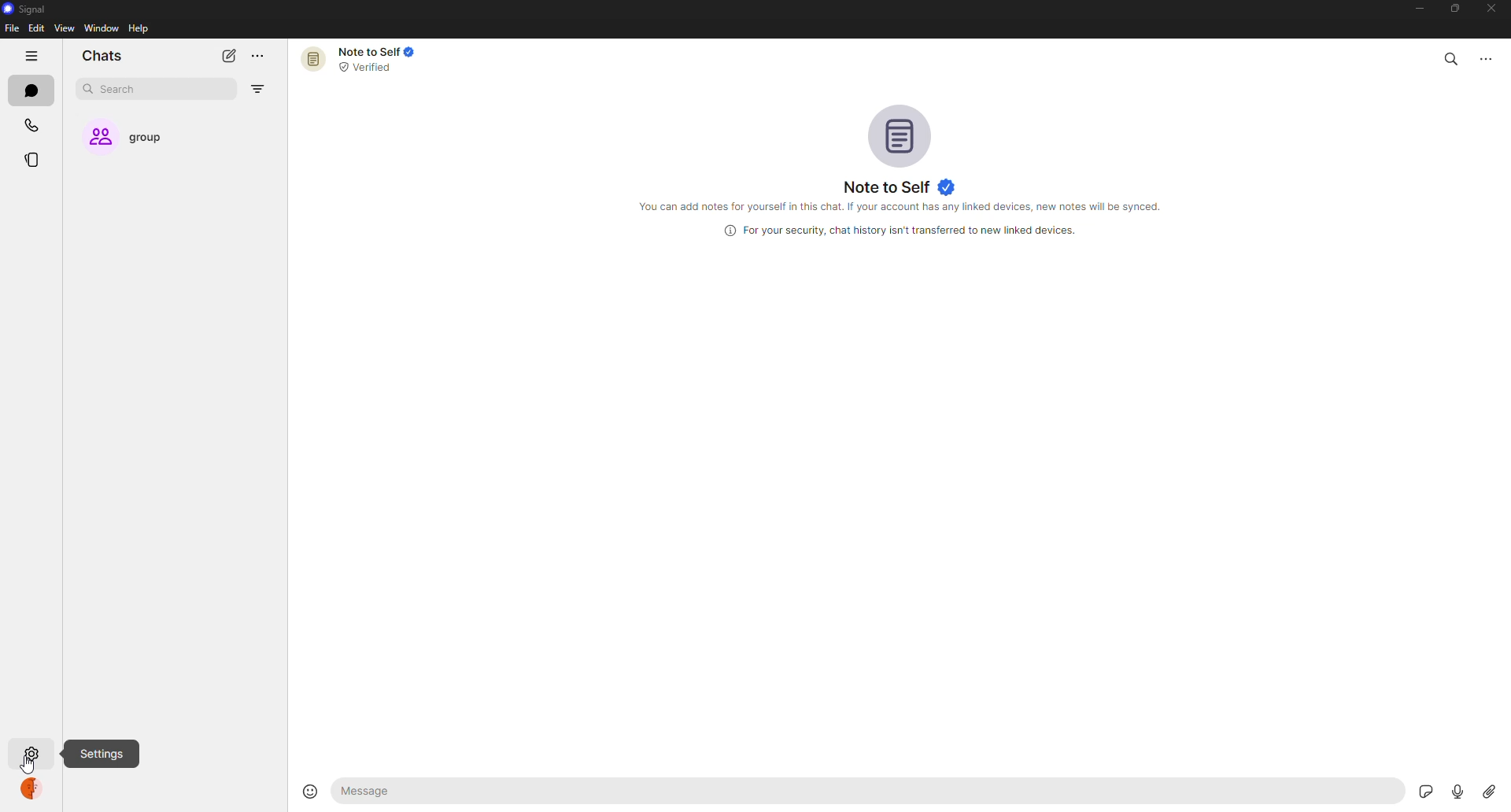 The height and width of the screenshot is (812, 1511). Describe the element at coordinates (1493, 56) in the screenshot. I see `more` at that location.